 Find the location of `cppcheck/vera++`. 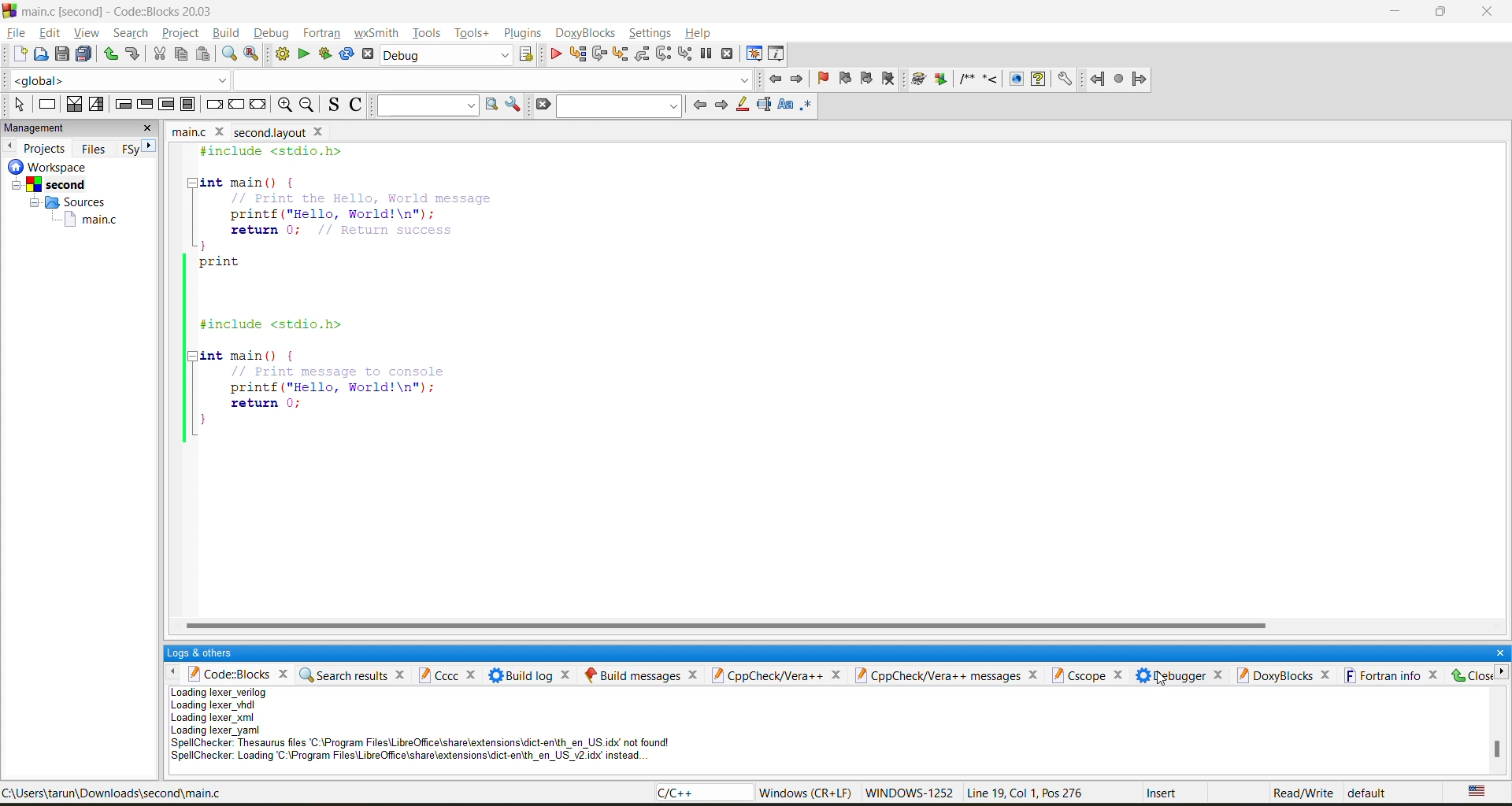

cppcheck/vera++ is located at coordinates (784, 674).